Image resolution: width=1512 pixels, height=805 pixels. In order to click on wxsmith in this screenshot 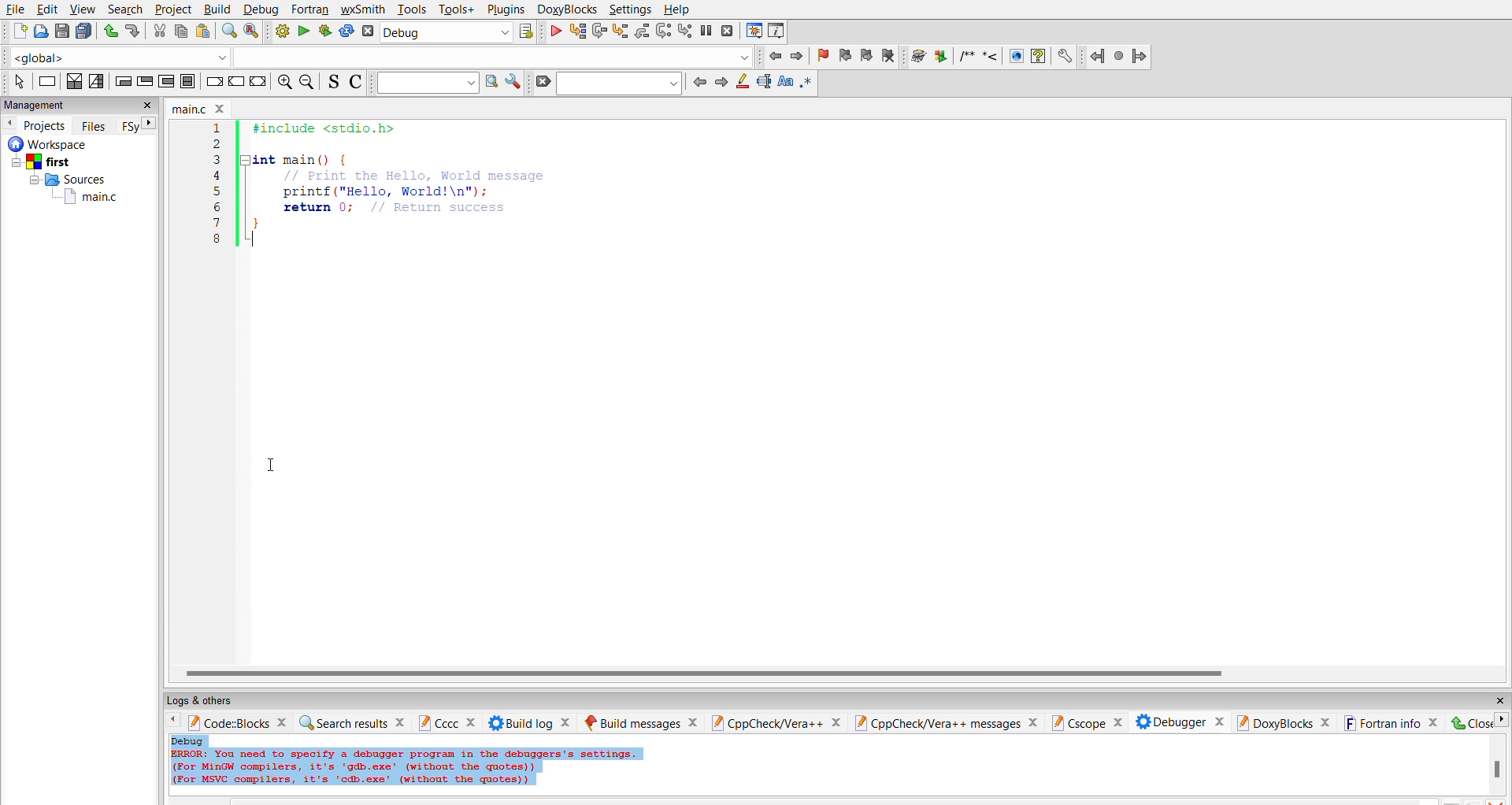, I will do `click(360, 9)`.